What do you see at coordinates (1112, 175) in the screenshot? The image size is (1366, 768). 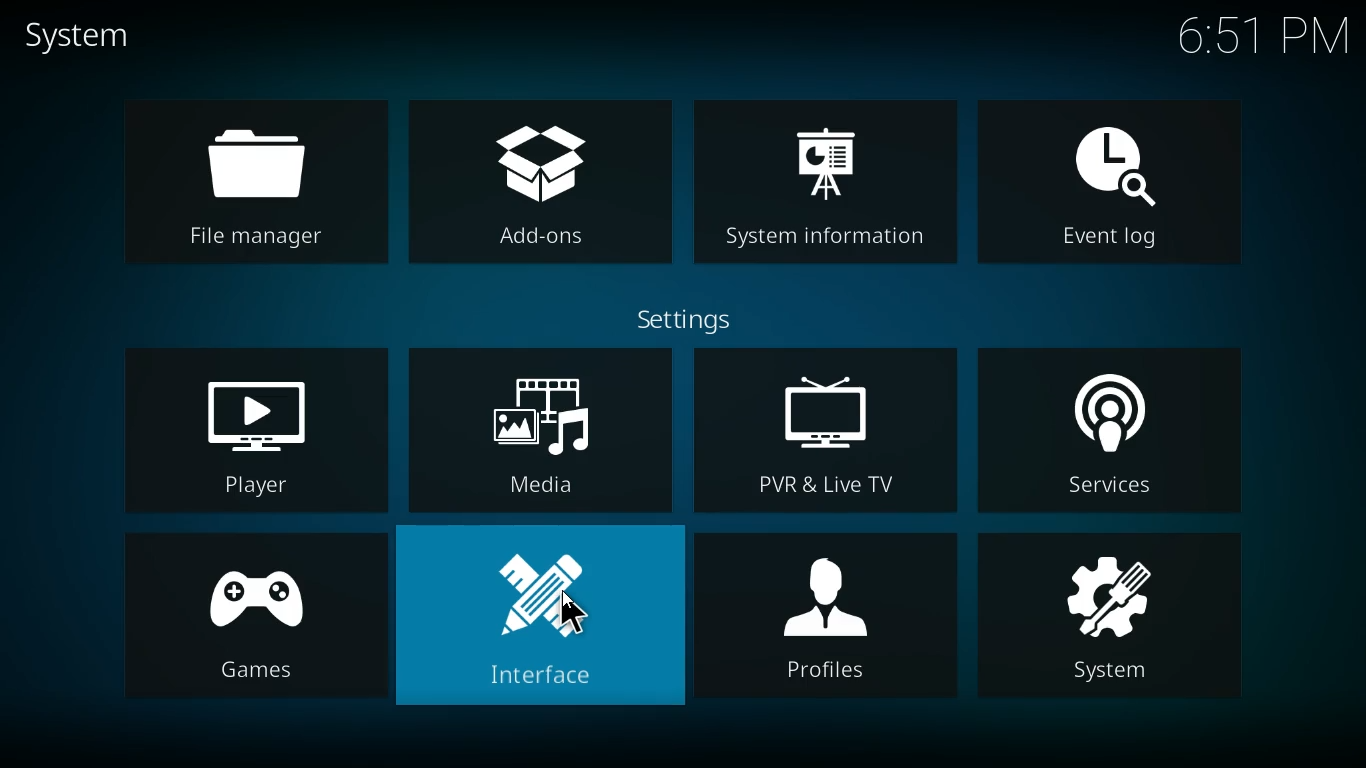 I see `event log` at bounding box center [1112, 175].